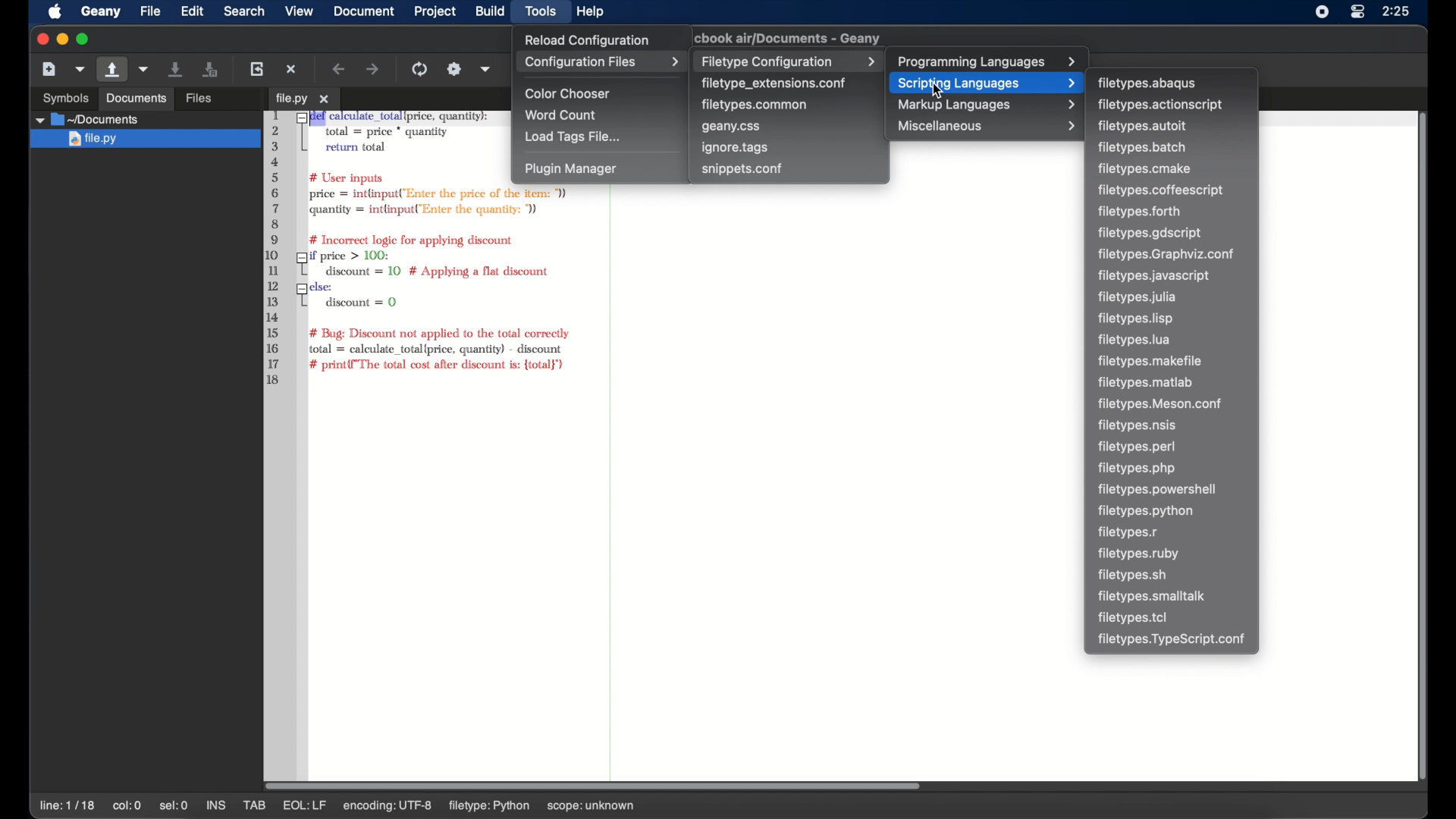 This screenshot has height=819, width=1456. What do you see at coordinates (1154, 275) in the screenshot?
I see `filetypes` at bounding box center [1154, 275].